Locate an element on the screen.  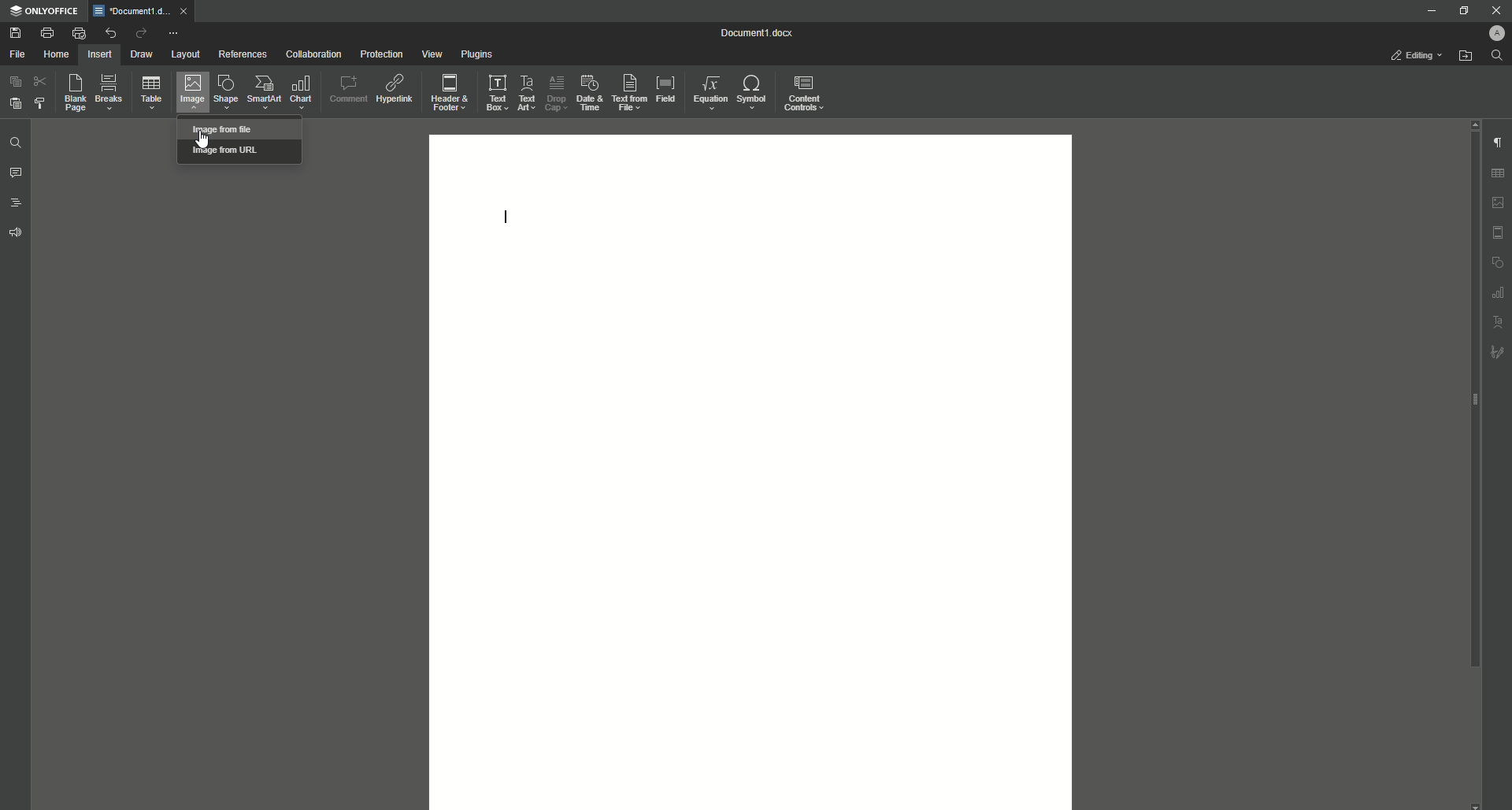
Find is located at coordinates (16, 143).